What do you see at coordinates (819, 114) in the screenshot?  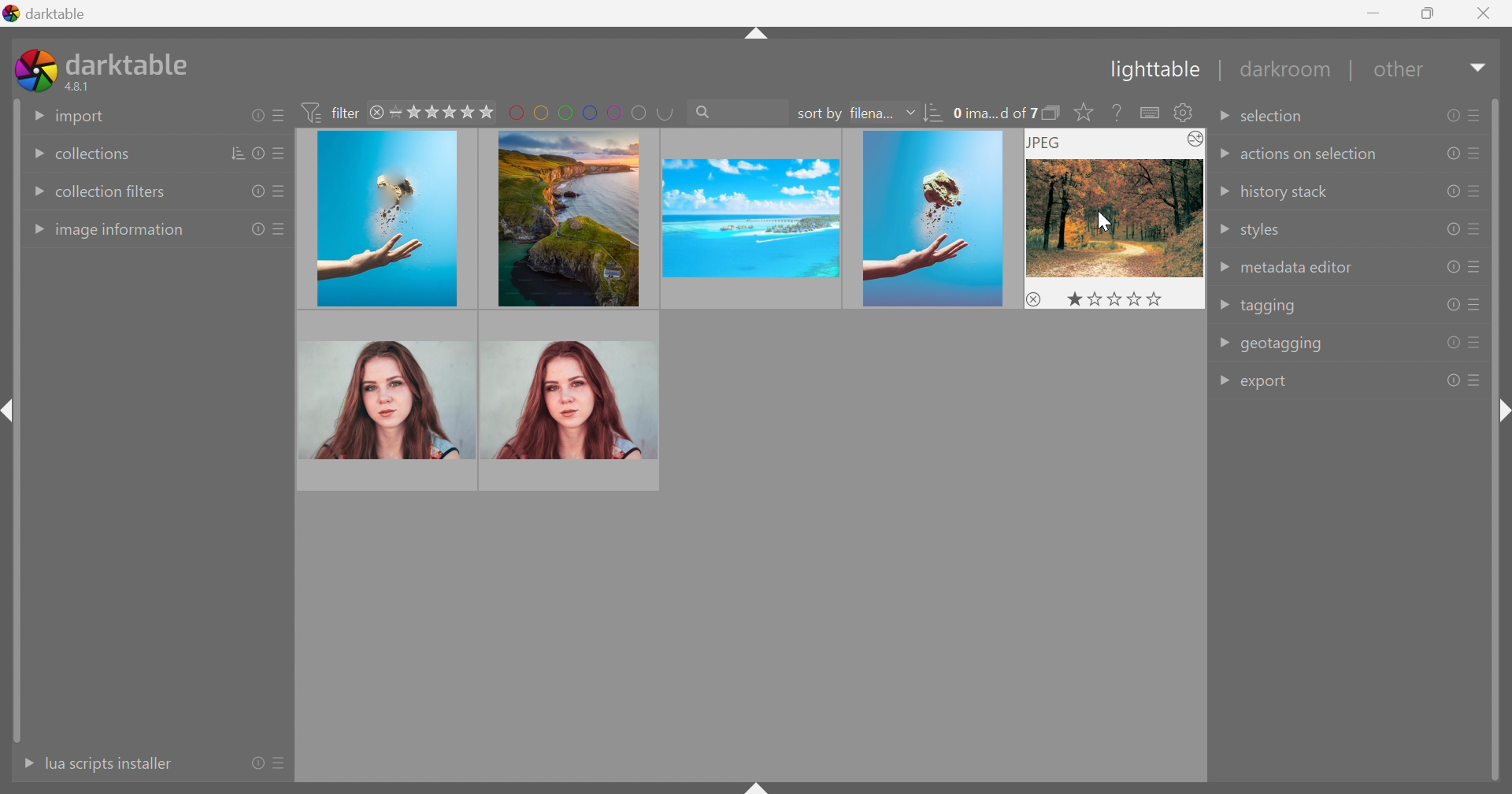 I see `sort by` at bounding box center [819, 114].